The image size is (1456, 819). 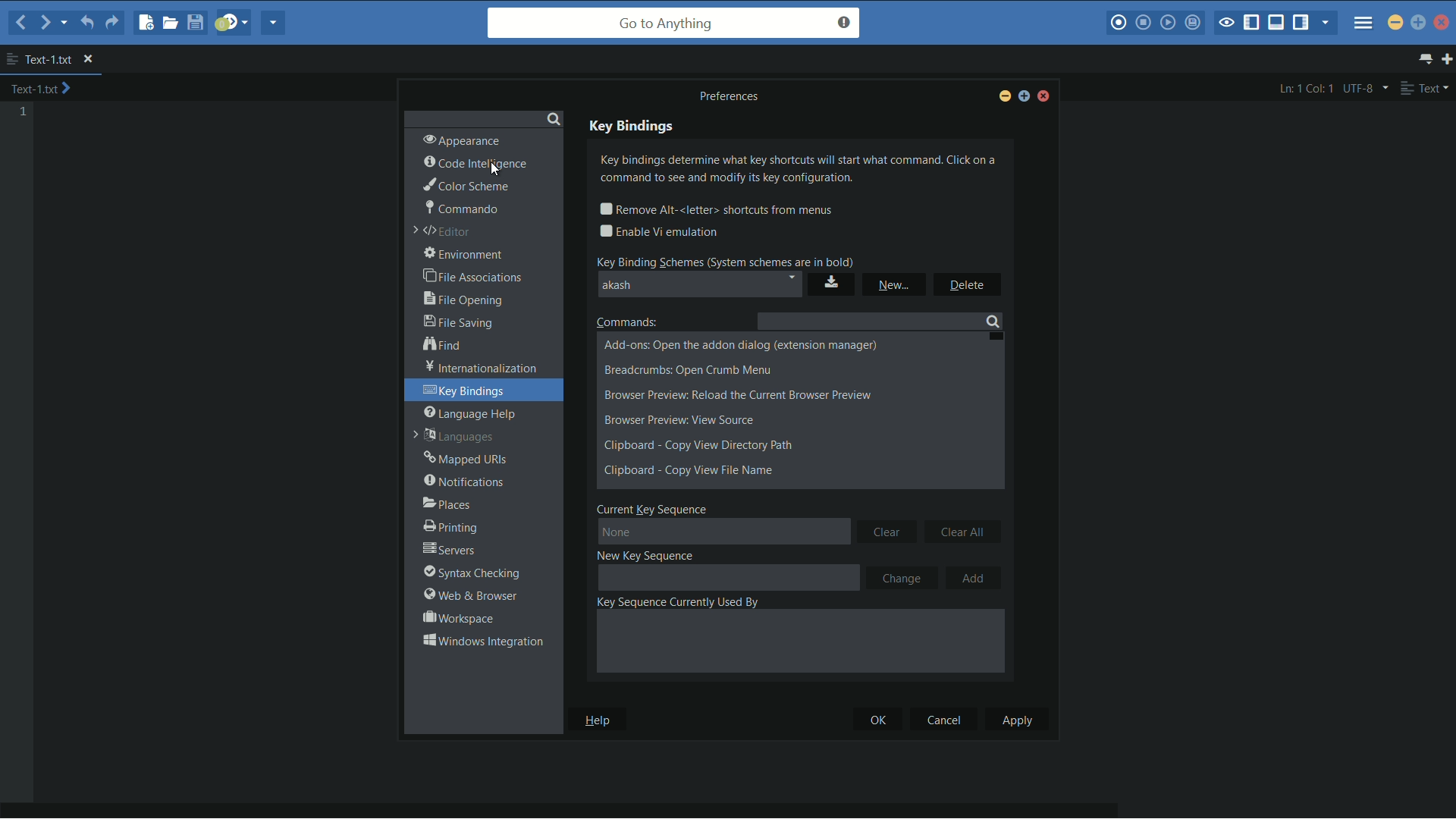 I want to click on akash, so click(x=700, y=285).